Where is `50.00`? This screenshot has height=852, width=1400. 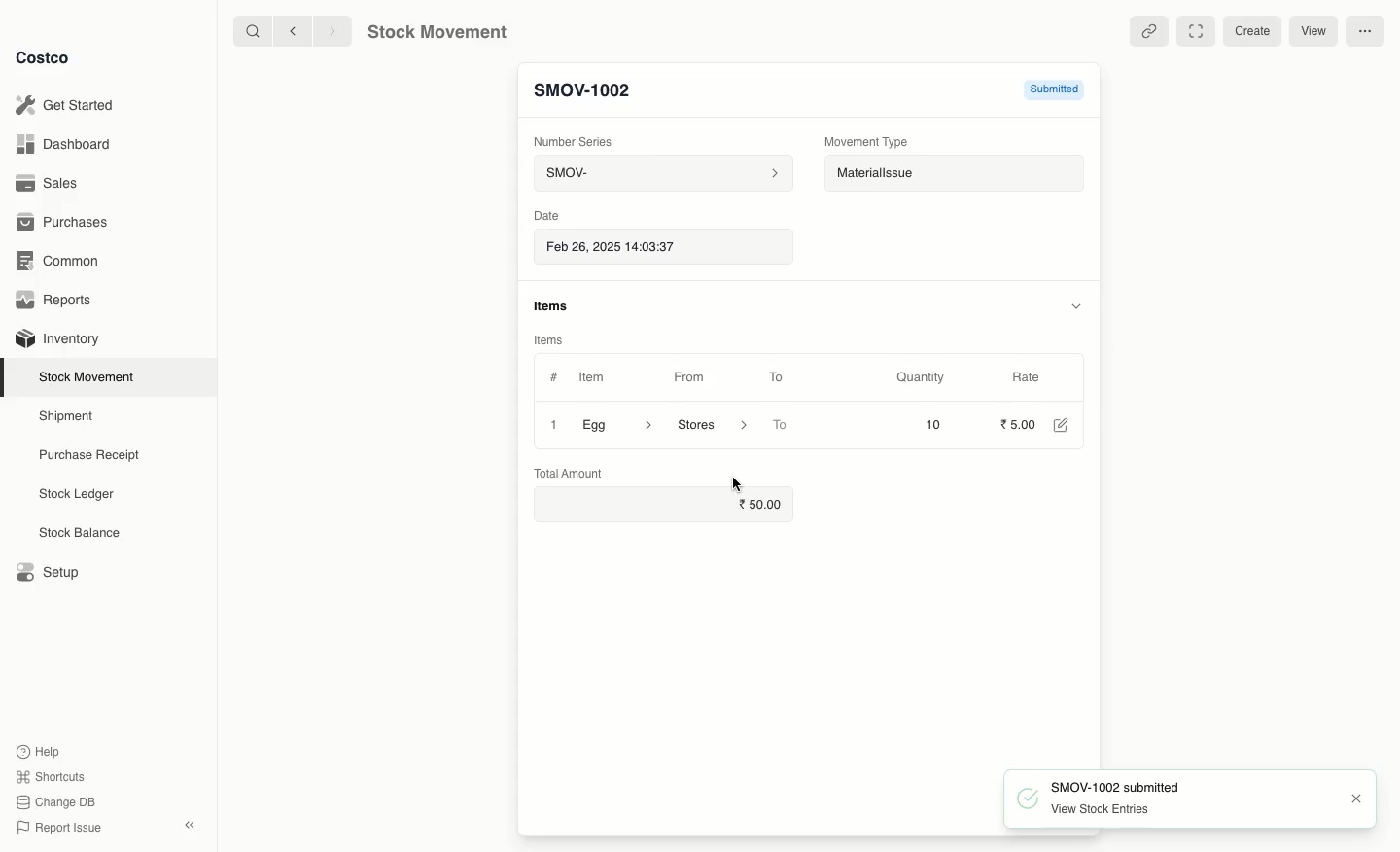
50.00 is located at coordinates (756, 503).